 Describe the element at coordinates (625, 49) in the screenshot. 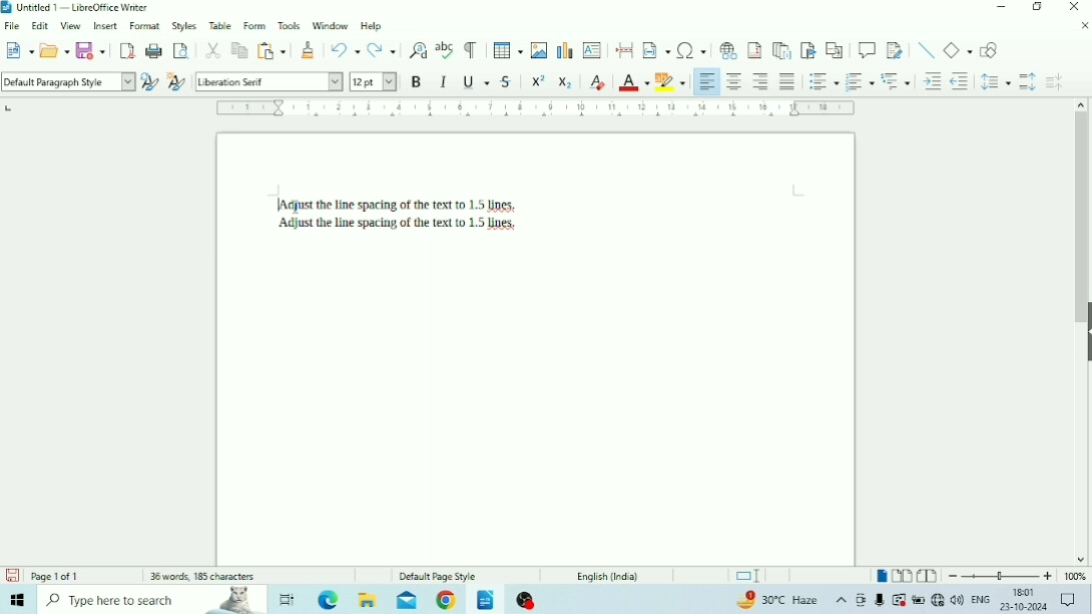

I see `Insert PageBreak` at that location.